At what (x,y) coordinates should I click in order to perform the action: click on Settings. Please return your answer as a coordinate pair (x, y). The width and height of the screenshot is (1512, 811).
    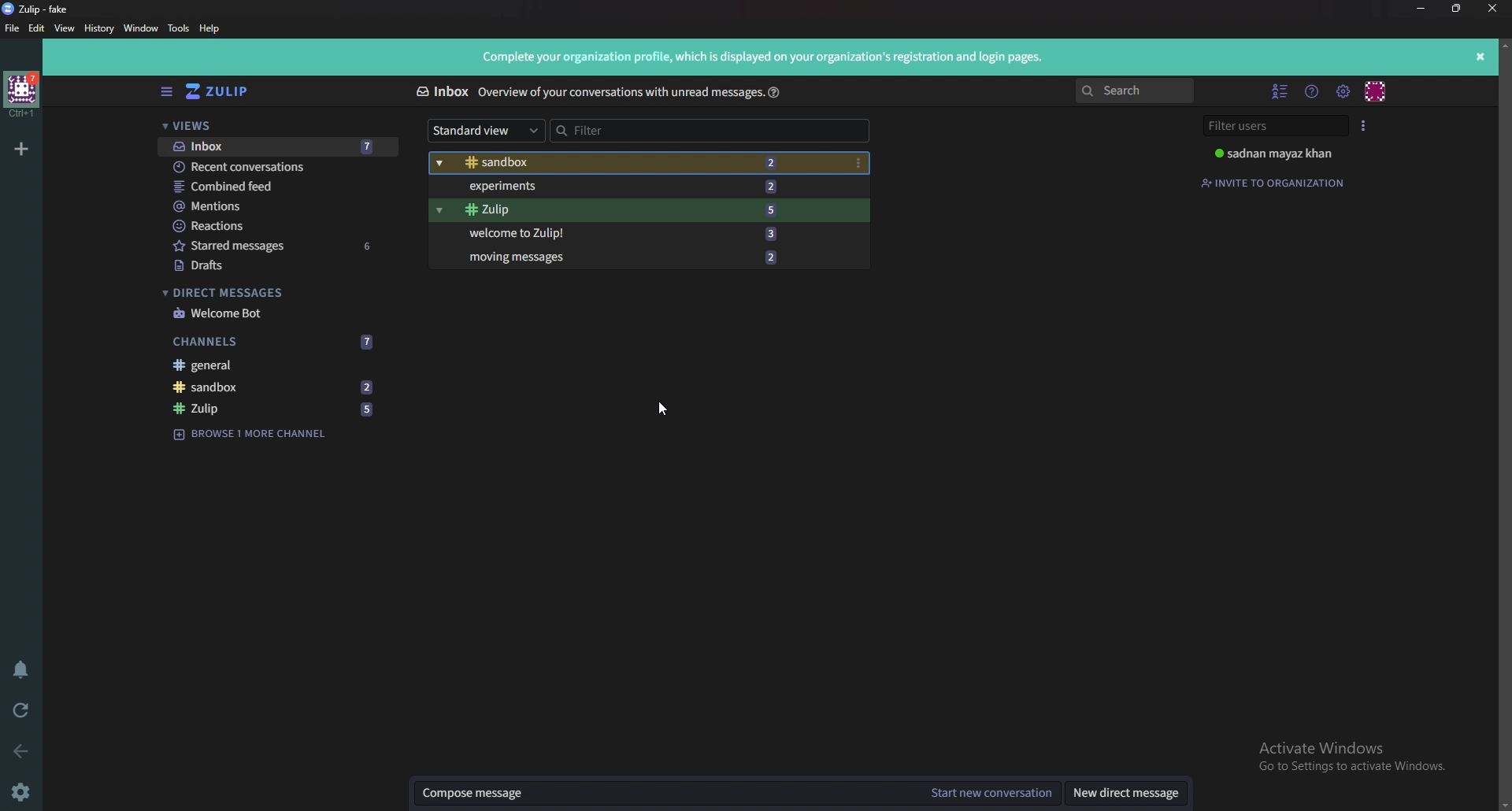
    Looking at the image, I should click on (23, 792).